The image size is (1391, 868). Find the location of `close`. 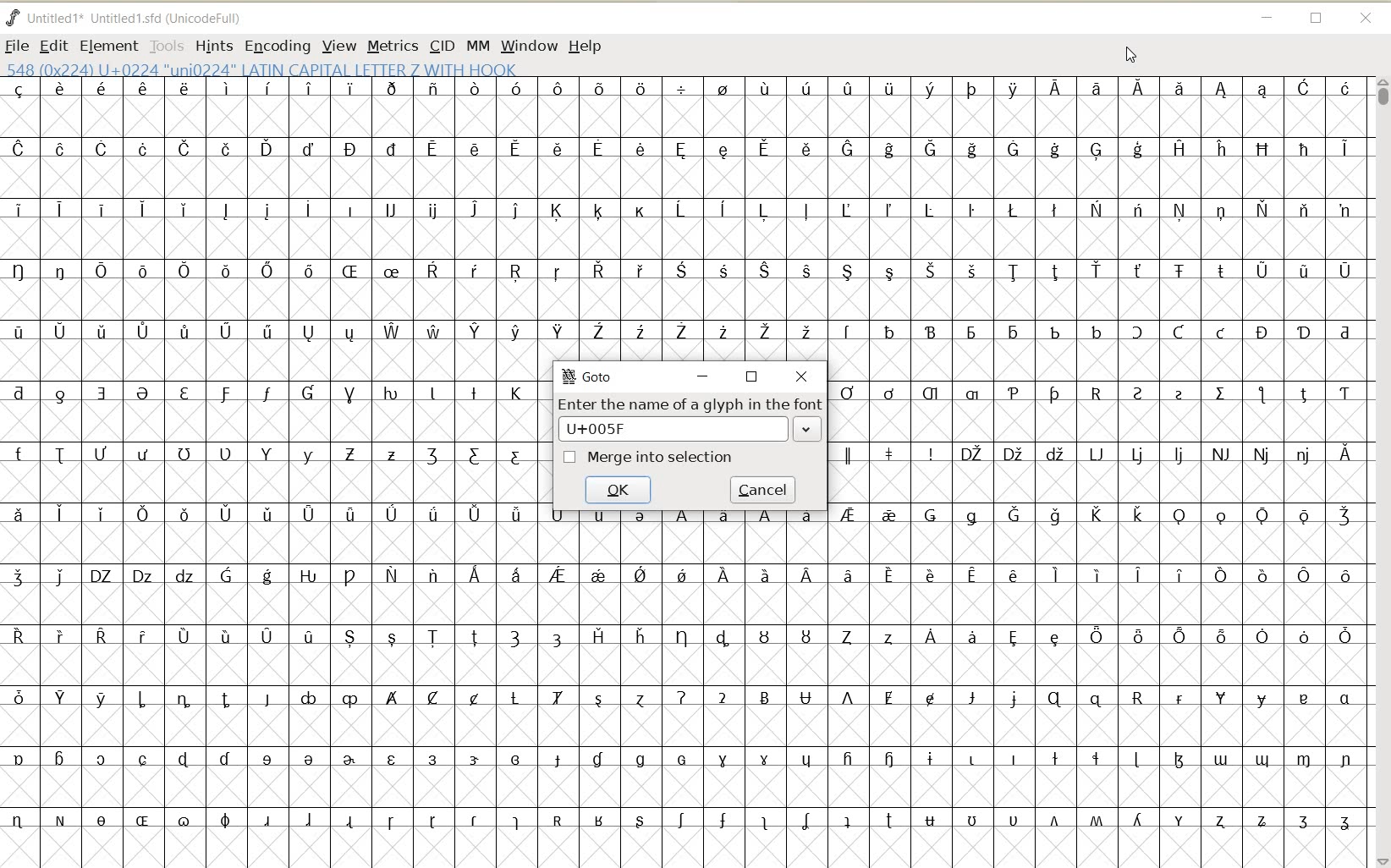

close is located at coordinates (804, 377).